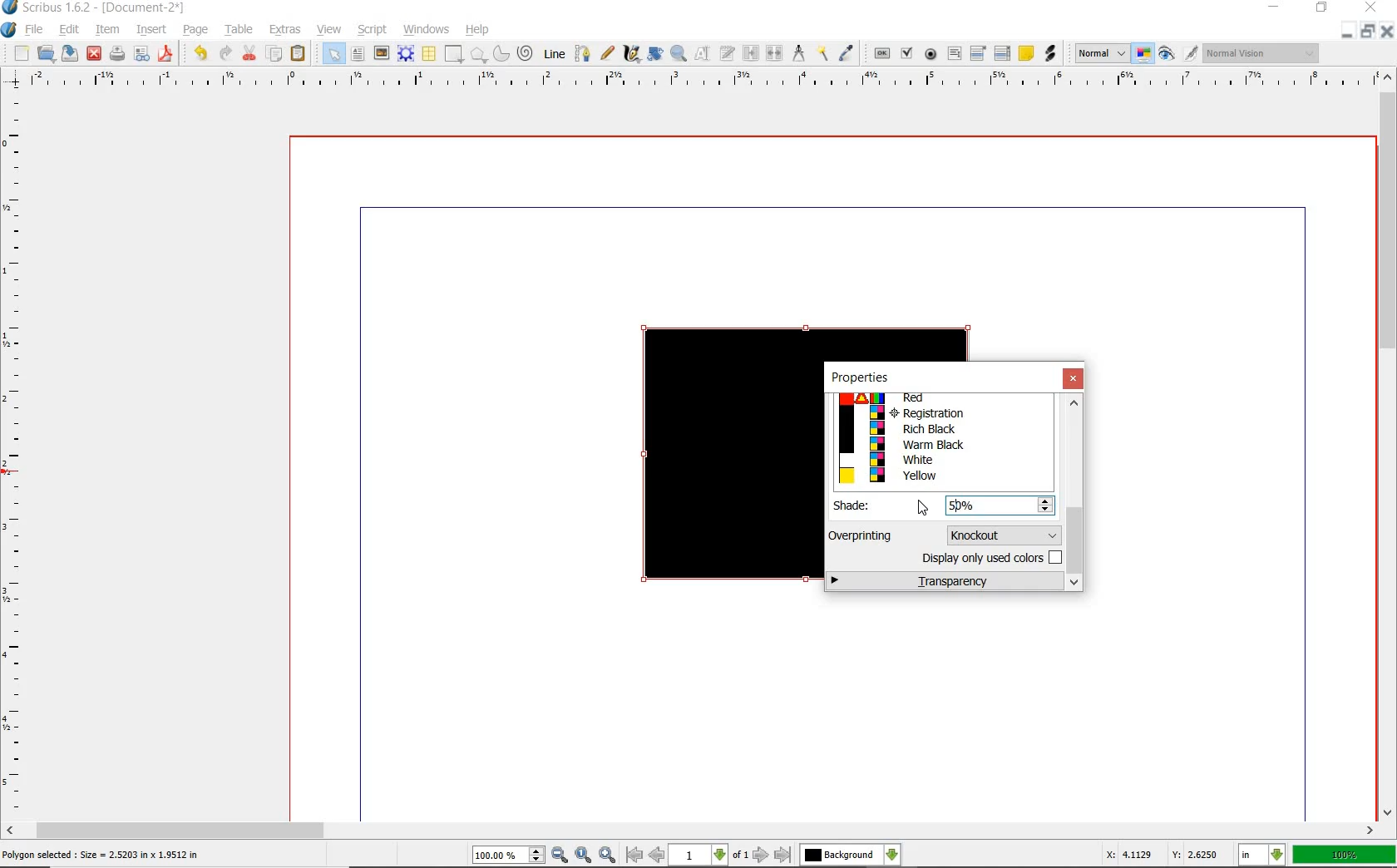  I want to click on RESTORE, so click(1321, 11).